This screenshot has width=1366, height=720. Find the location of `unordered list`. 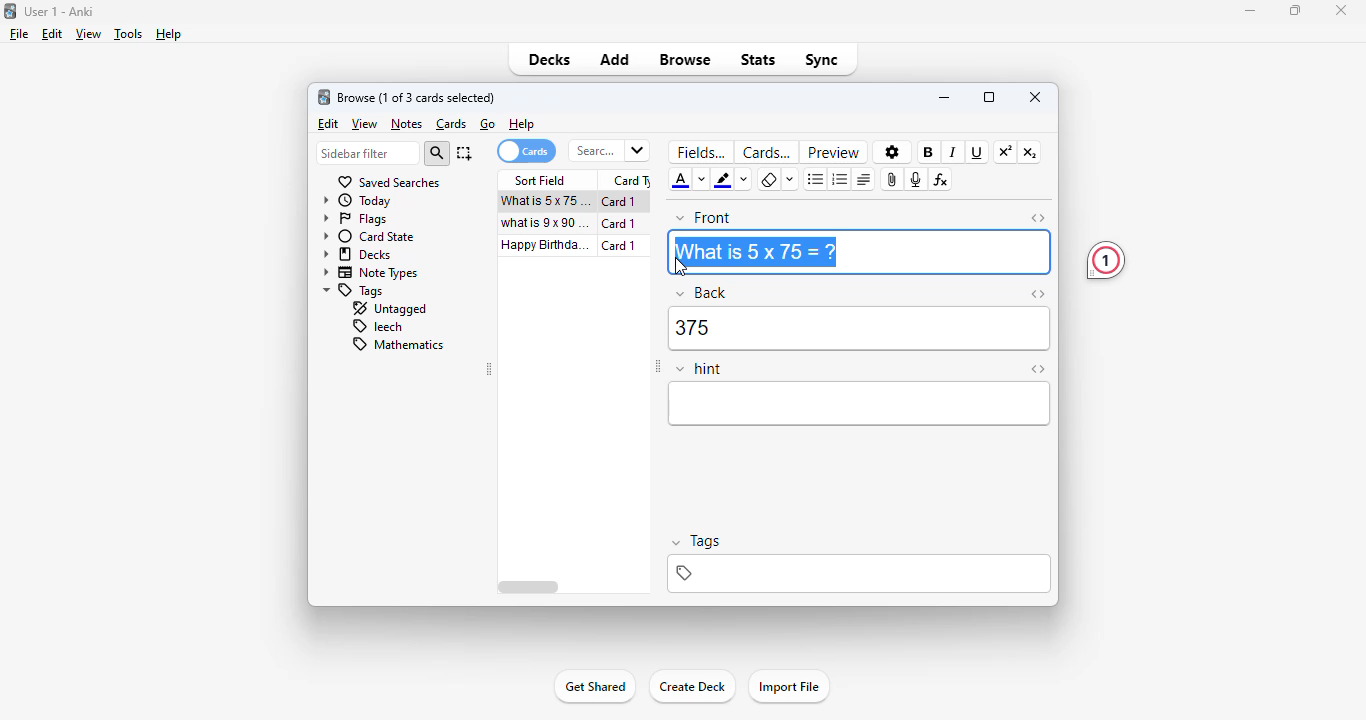

unordered list is located at coordinates (815, 179).